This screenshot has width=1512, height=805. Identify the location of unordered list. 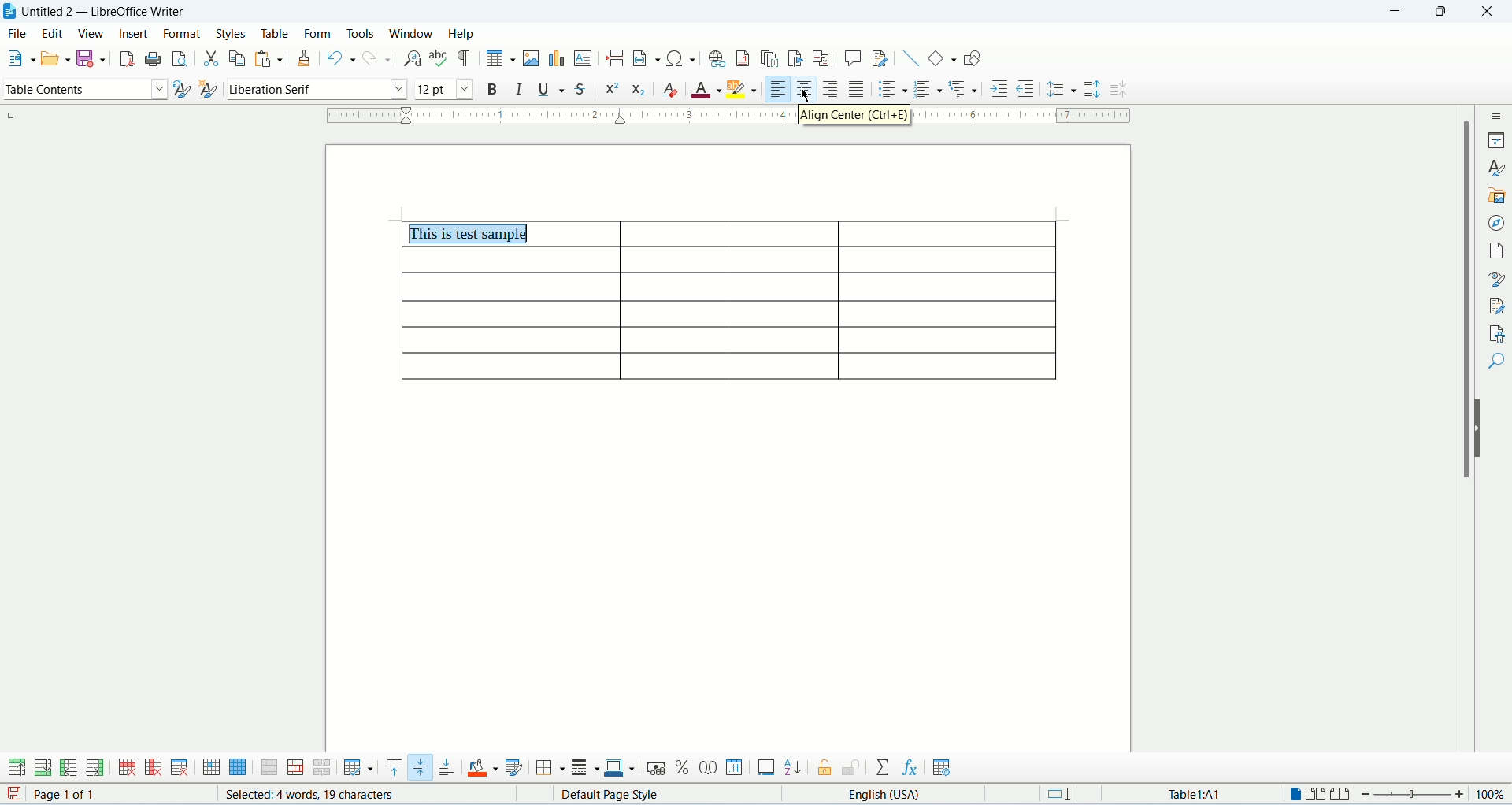
(893, 88).